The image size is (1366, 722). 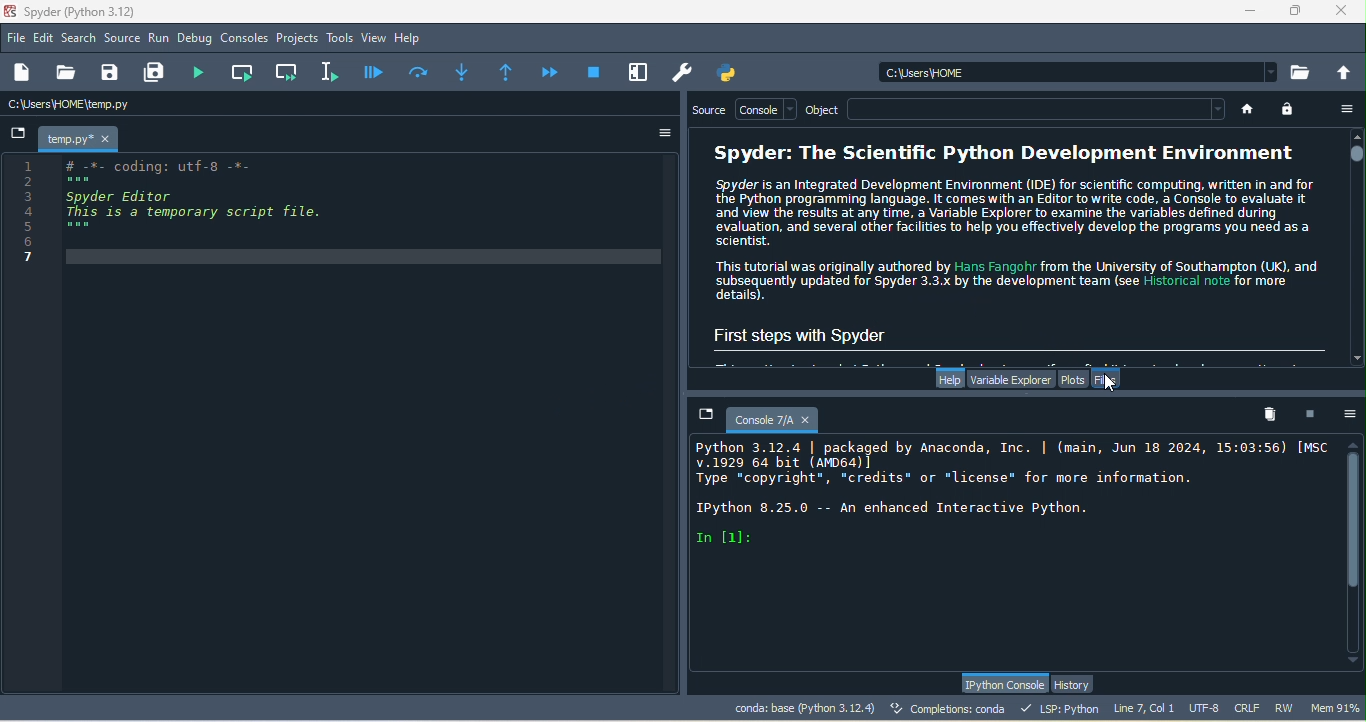 I want to click on method returns, so click(x=508, y=73).